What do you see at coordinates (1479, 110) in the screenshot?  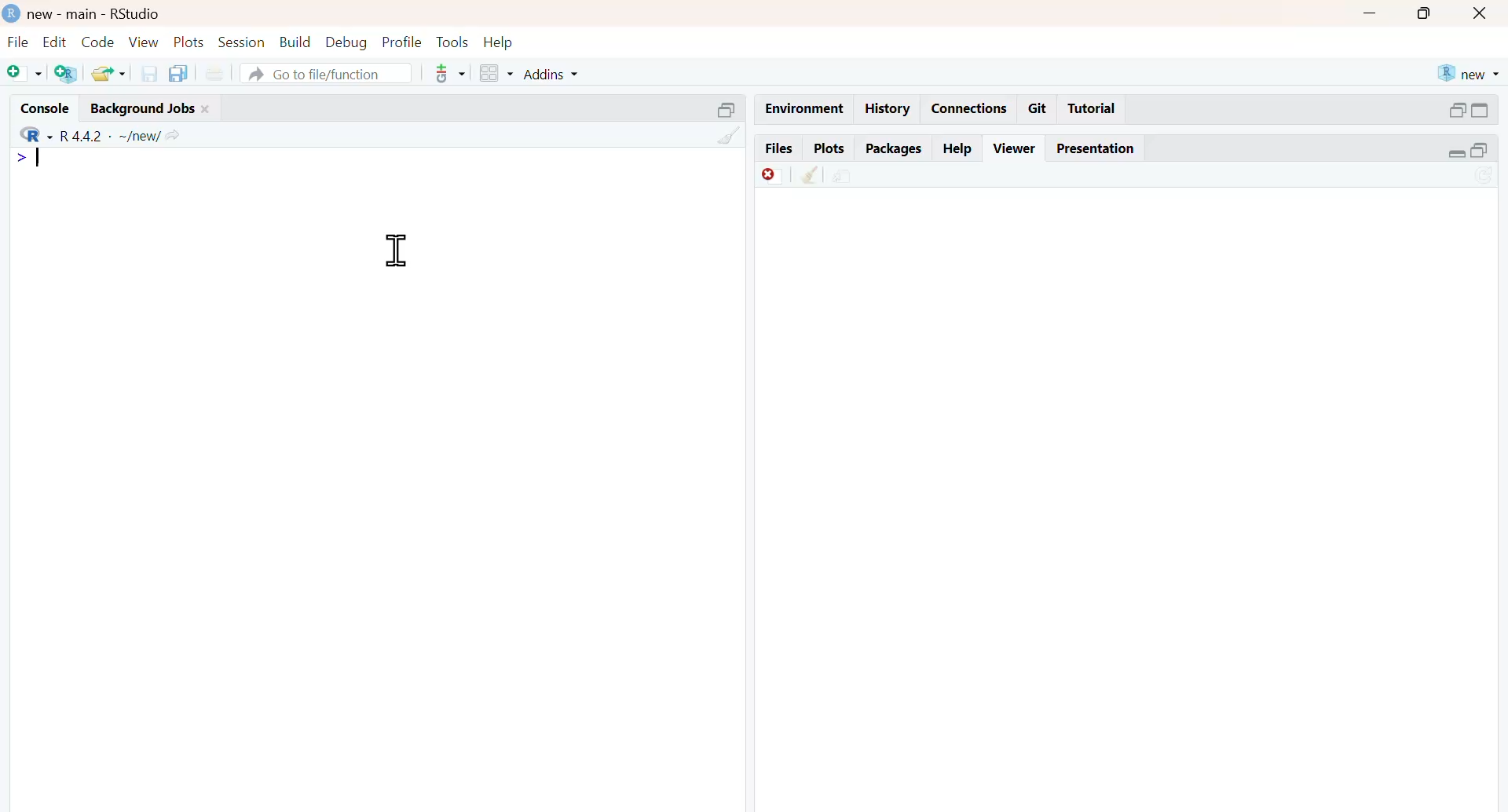 I see `open in separate windowCollapse /expand` at bounding box center [1479, 110].